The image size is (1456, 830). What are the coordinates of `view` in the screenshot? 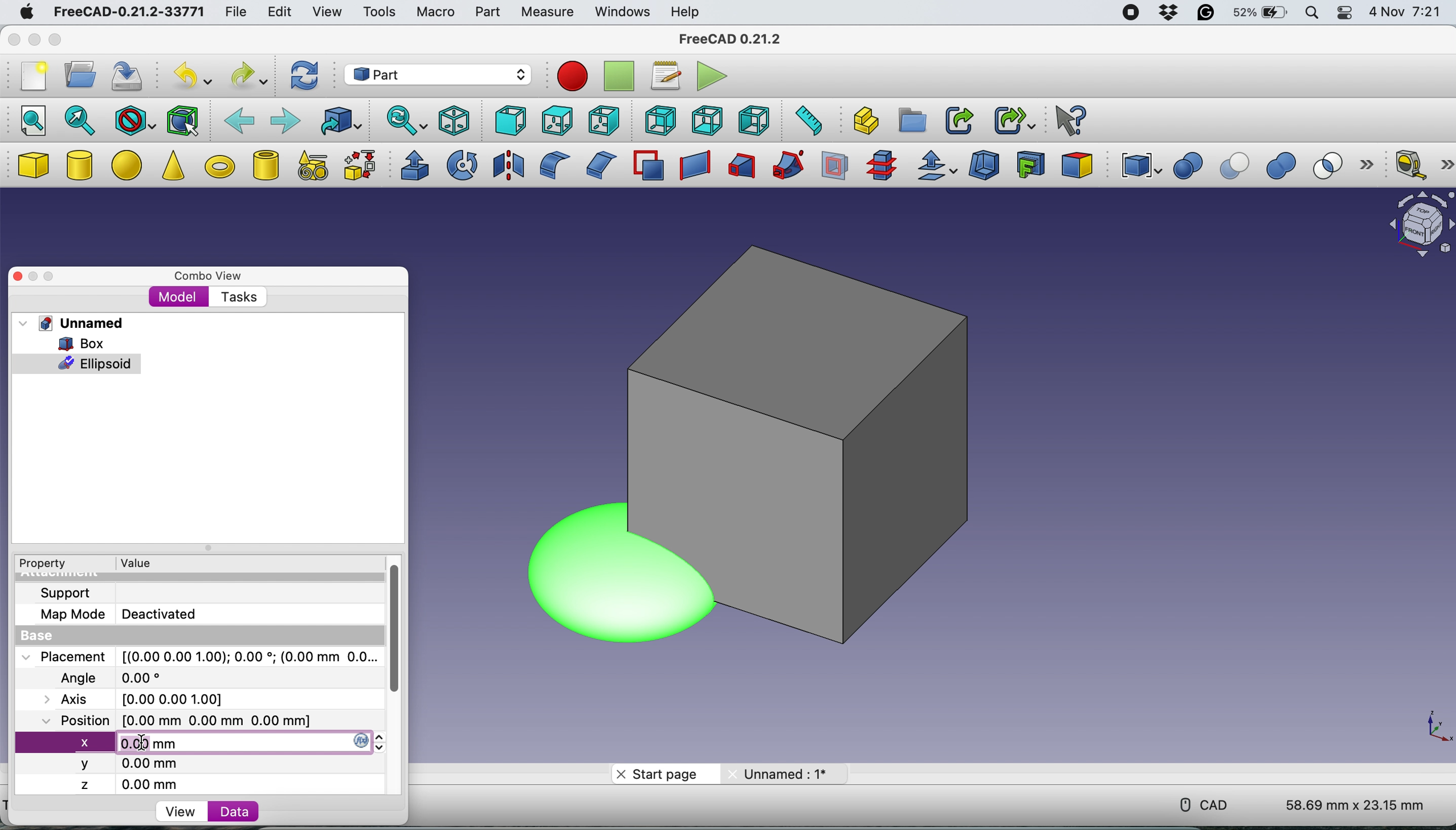 It's located at (184, 811).